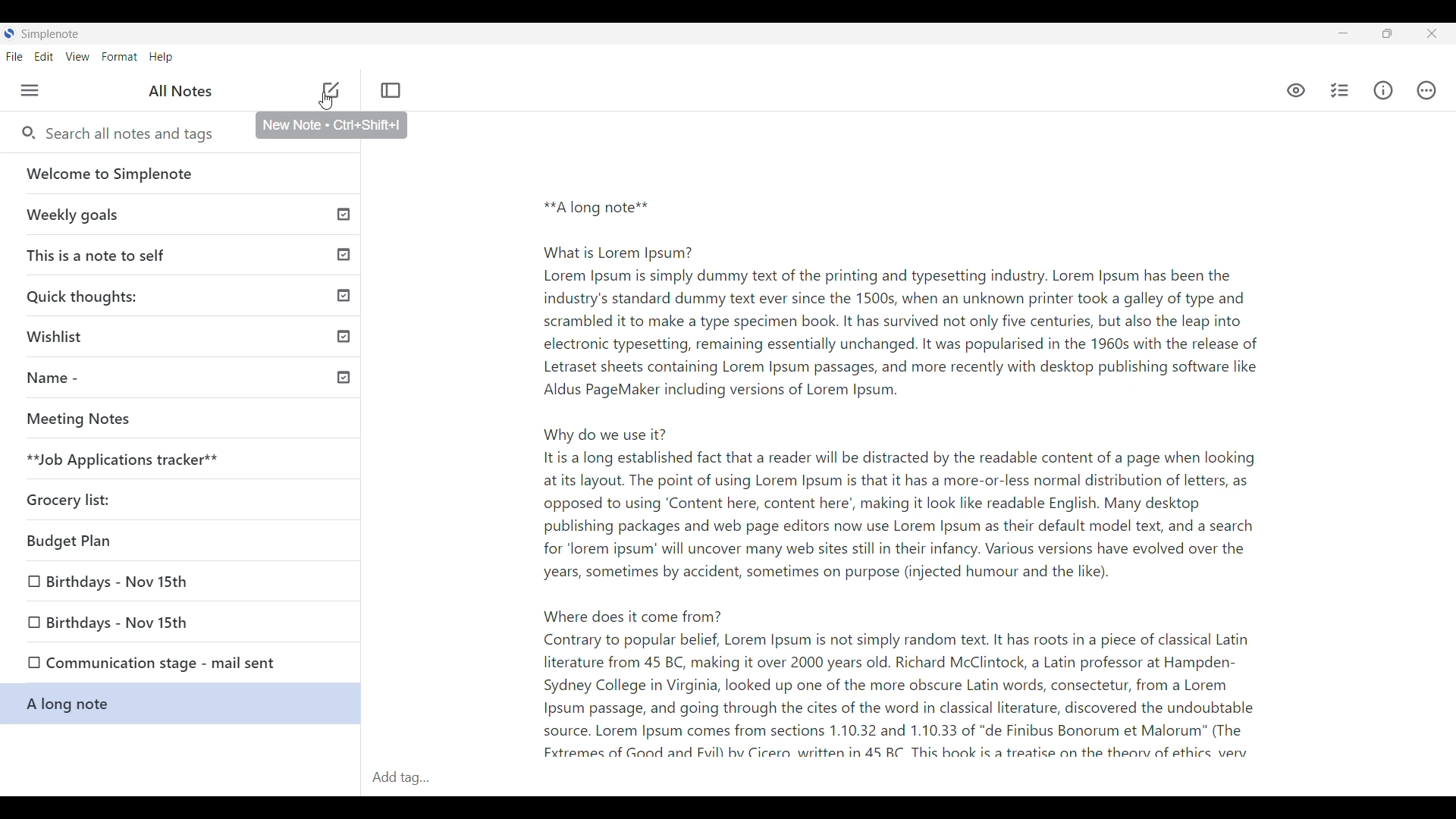 Image resolution: width=1456 pixels, height=819 pixels. I want to click on Budget plan, so click(92, 538).